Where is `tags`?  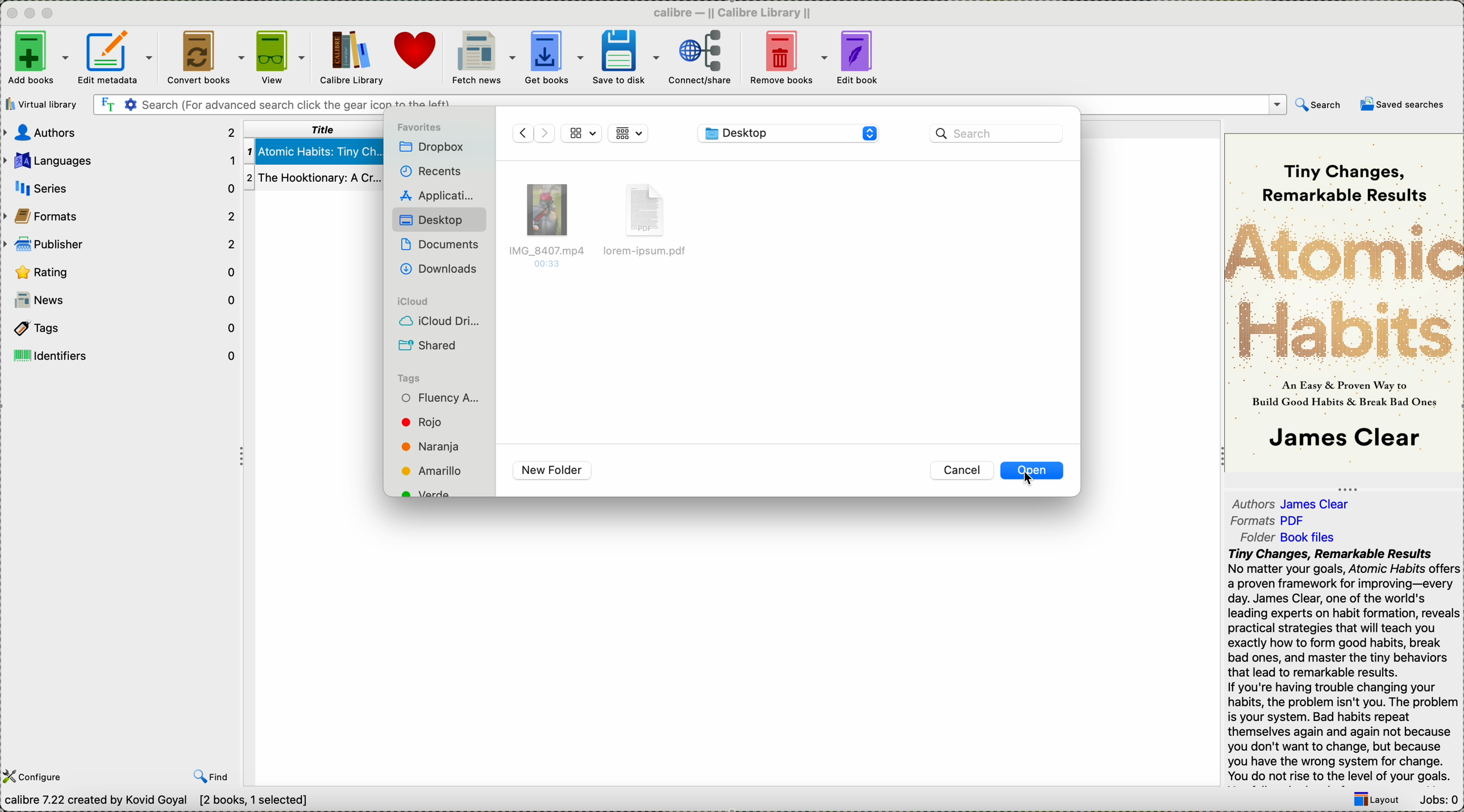 tags is located at coordinates (120, 327).